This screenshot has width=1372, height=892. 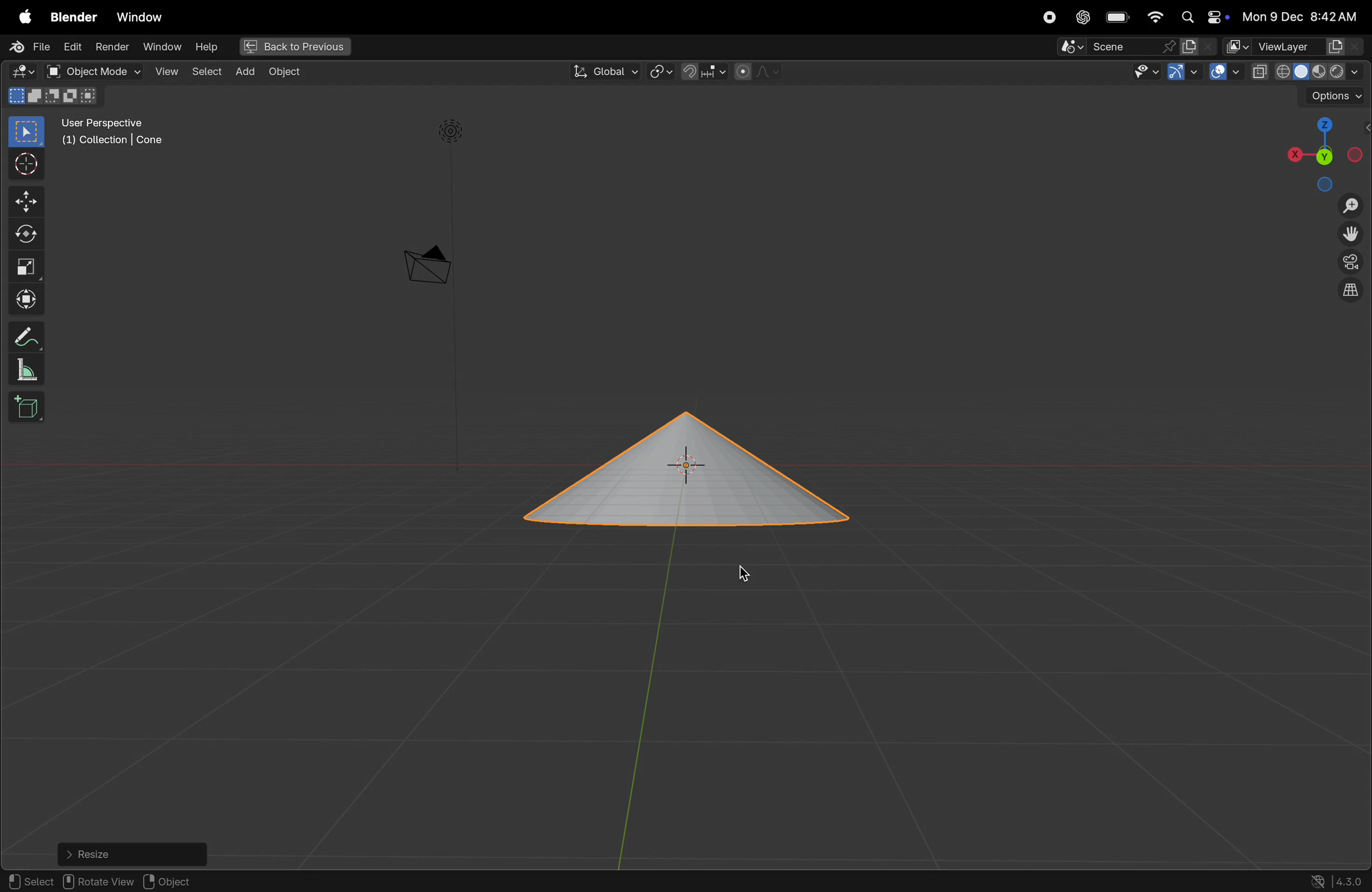 I want to click on measure, so click(x=22, y=368).